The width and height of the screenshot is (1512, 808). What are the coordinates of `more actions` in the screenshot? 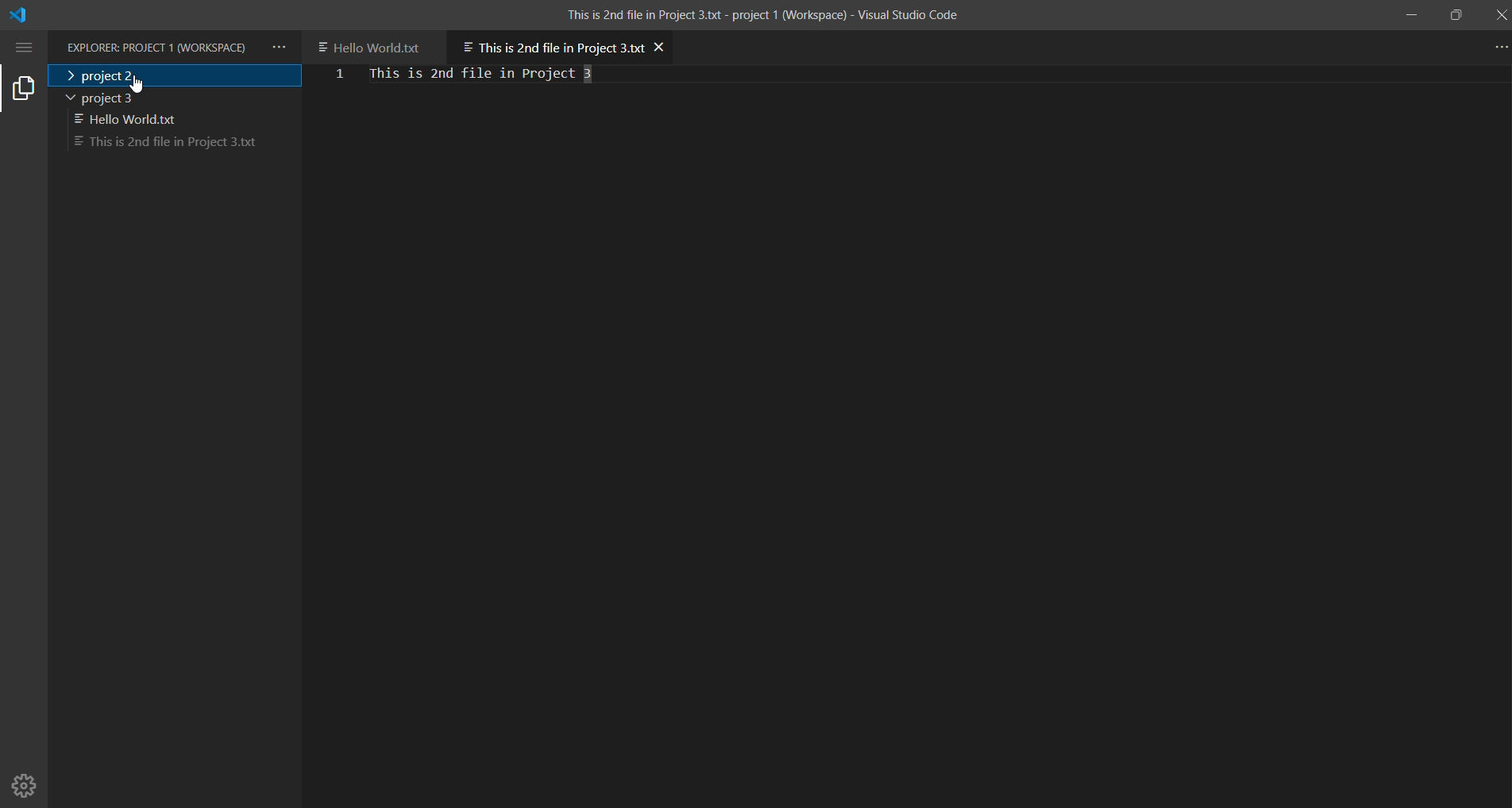 It's located at (1495, 46).